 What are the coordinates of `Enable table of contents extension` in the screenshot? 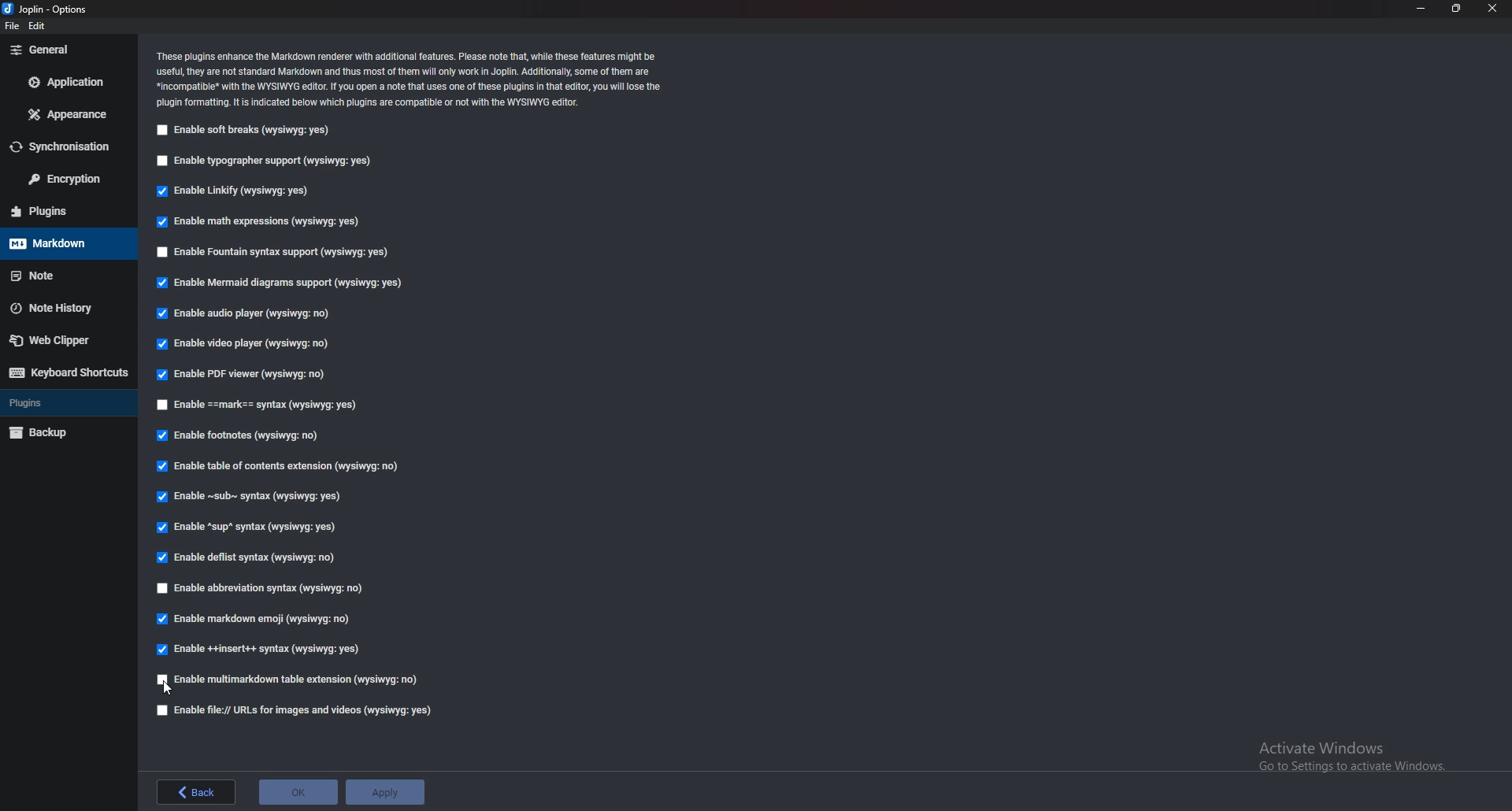 It's located at (276, 464).